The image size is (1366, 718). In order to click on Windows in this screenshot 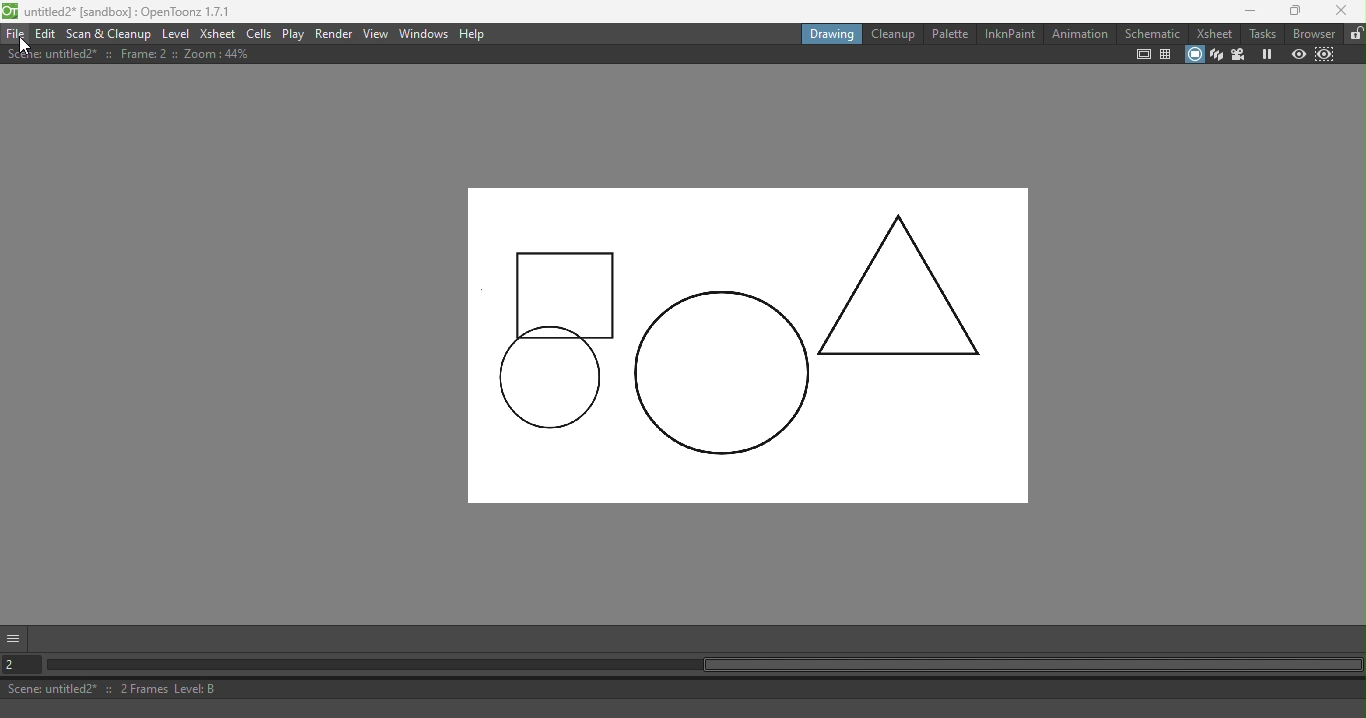, I will do `click(422, 33)`.